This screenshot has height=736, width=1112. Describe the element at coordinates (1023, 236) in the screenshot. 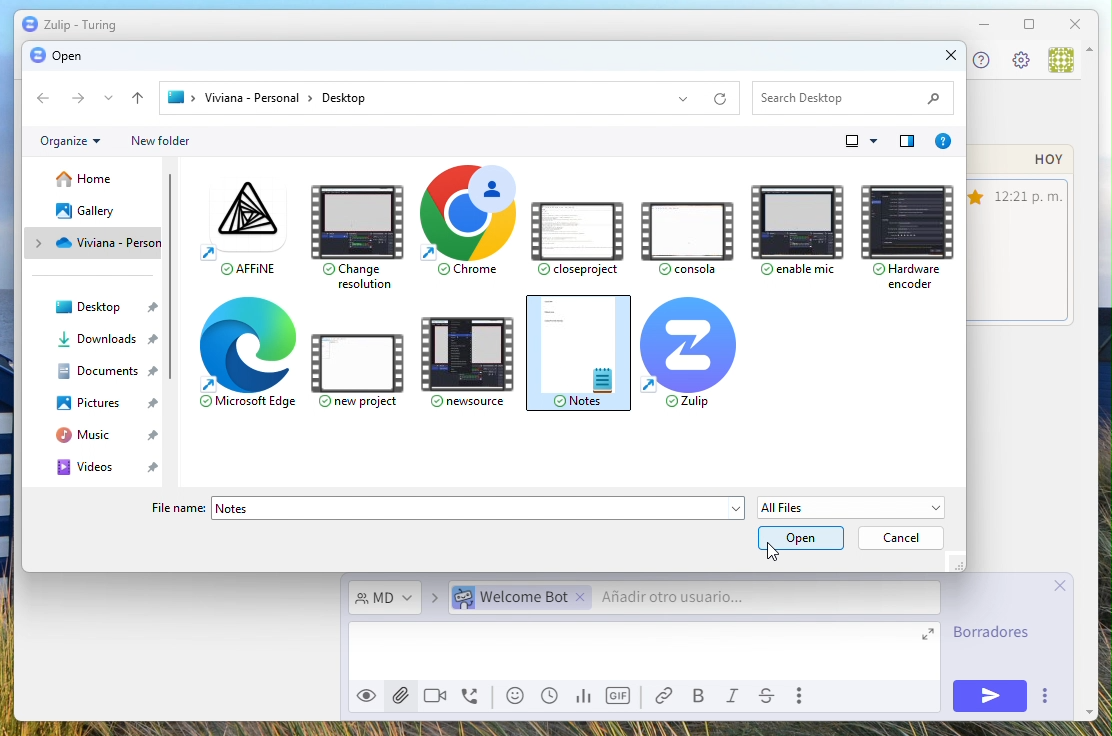

I see `new messages` at that location.